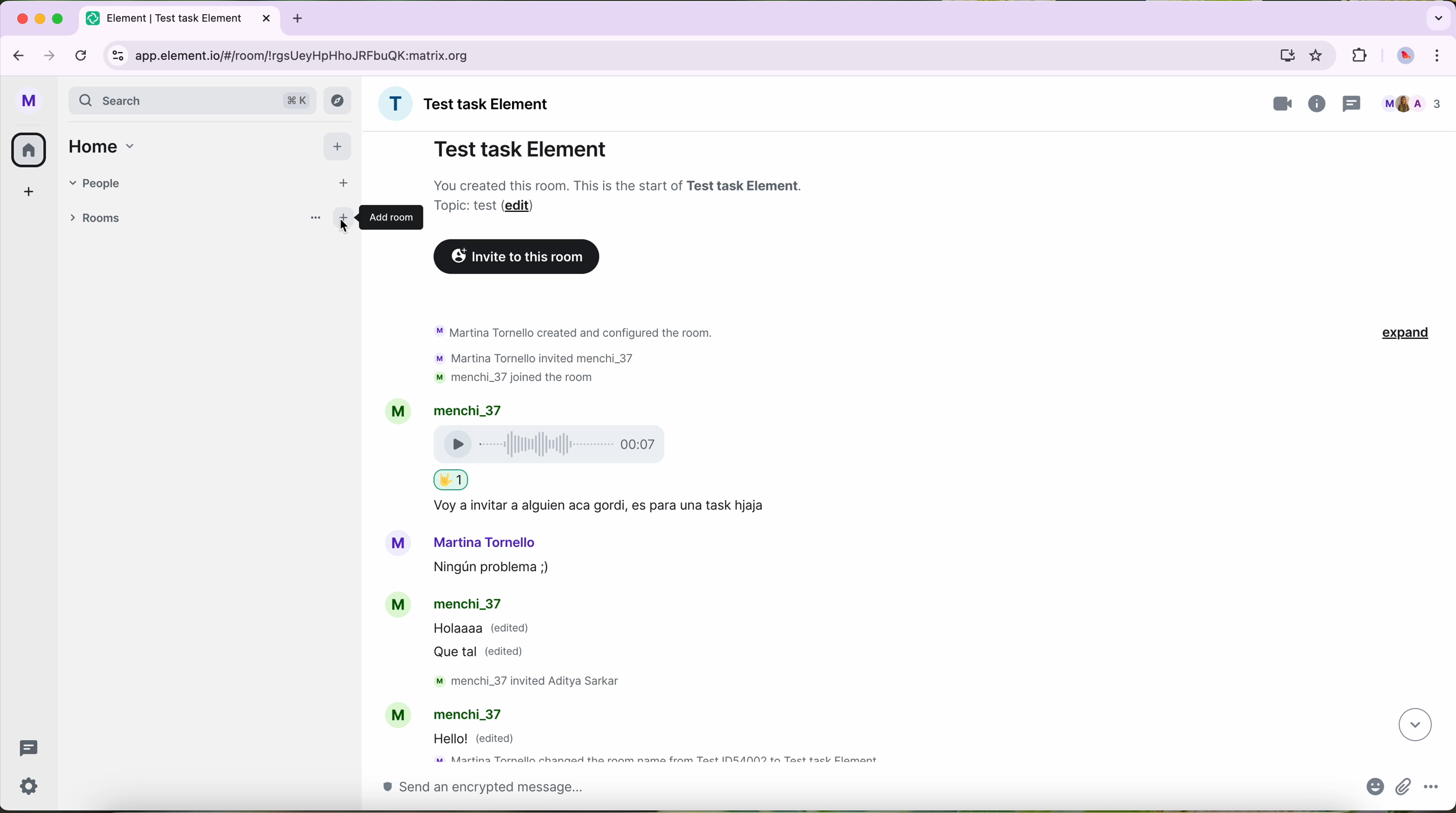 The image size is (1456, 813). What do you see at coordinates (98, 216) in the screenshot?
I see `rooms tab` at bounding box center [98, 216].